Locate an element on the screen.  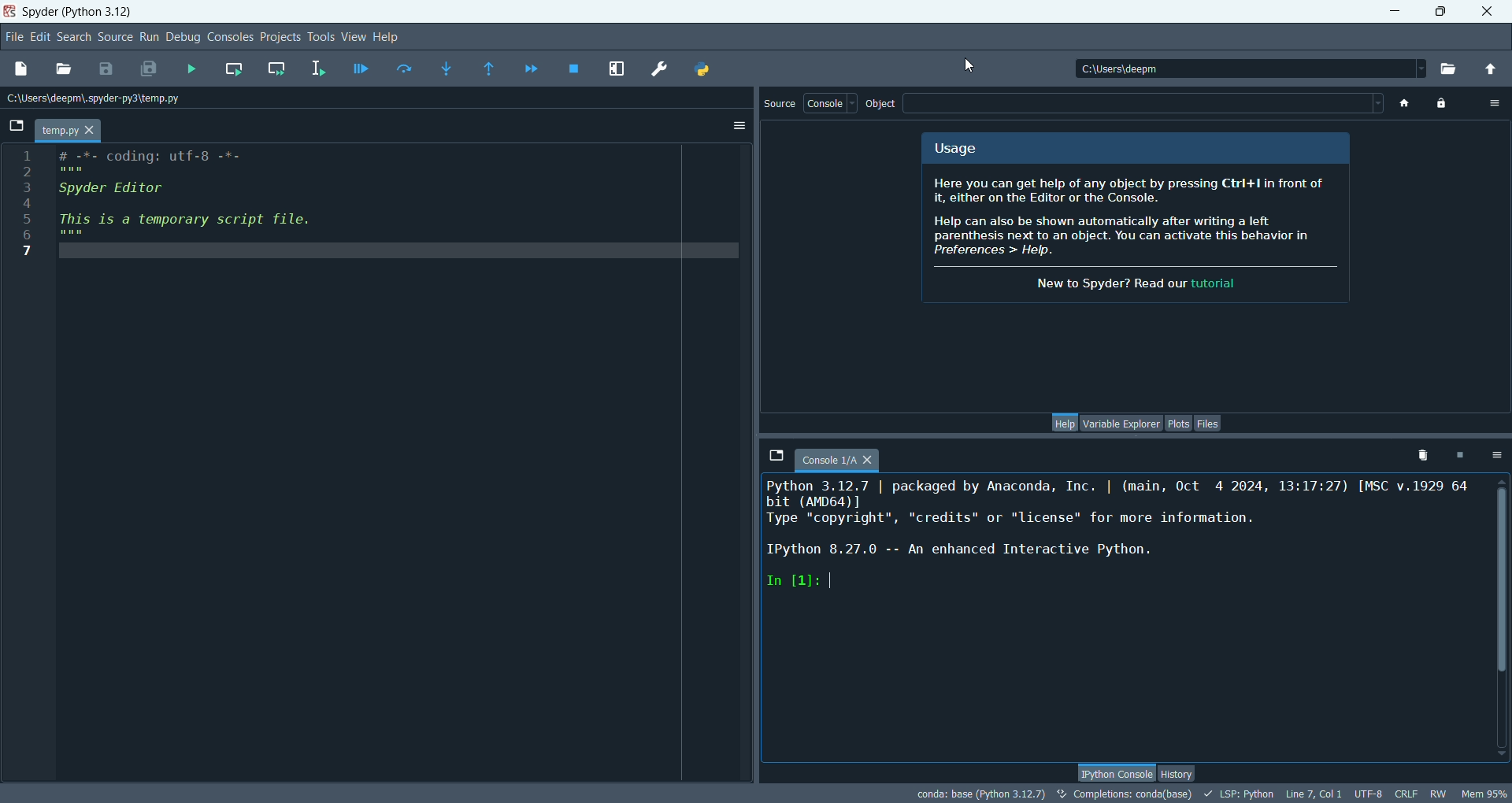
CRLF is located at coordinates (1409, 794).